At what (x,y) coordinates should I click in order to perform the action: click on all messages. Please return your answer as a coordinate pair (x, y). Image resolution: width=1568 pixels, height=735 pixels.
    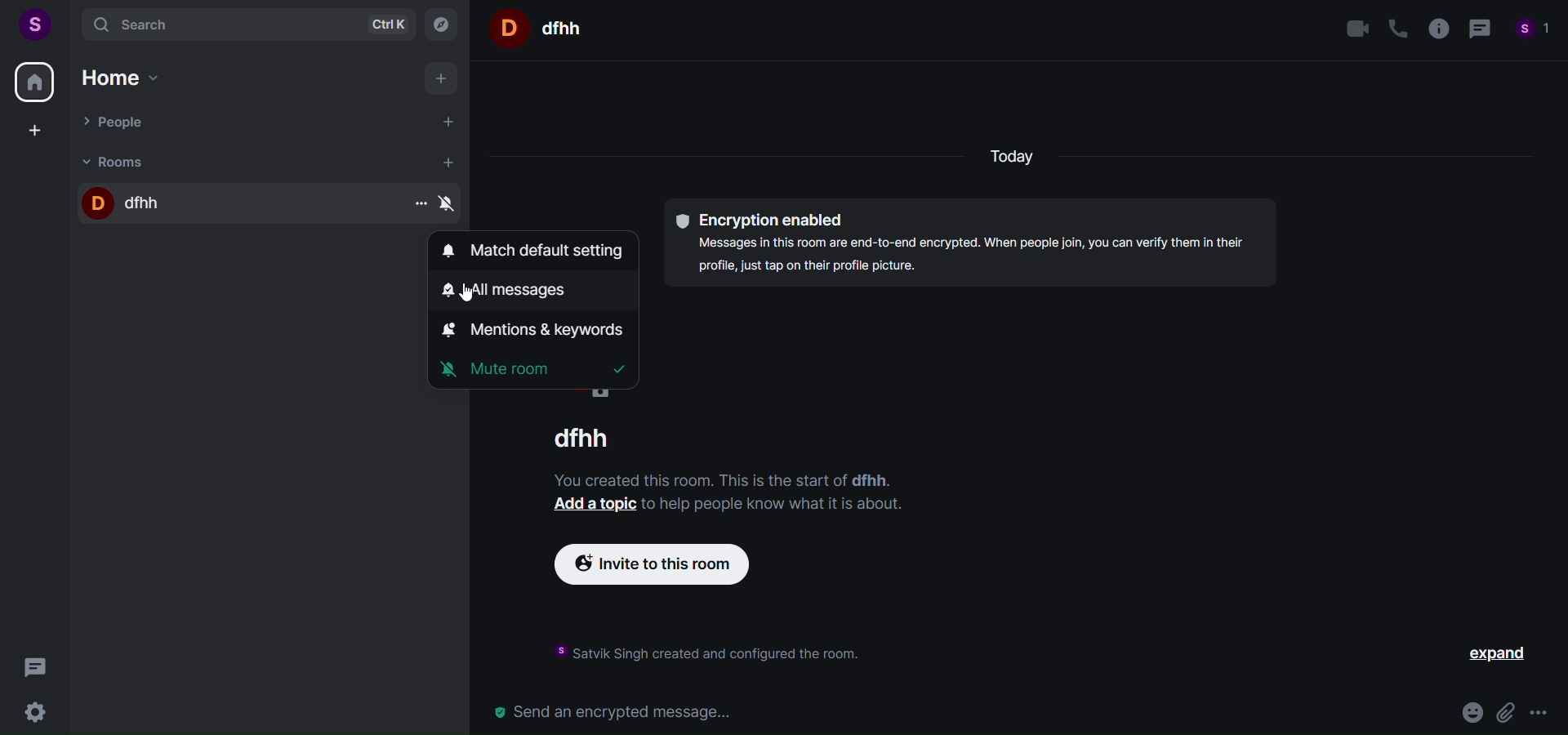
    Looking at the image, I should click on (504, 290).